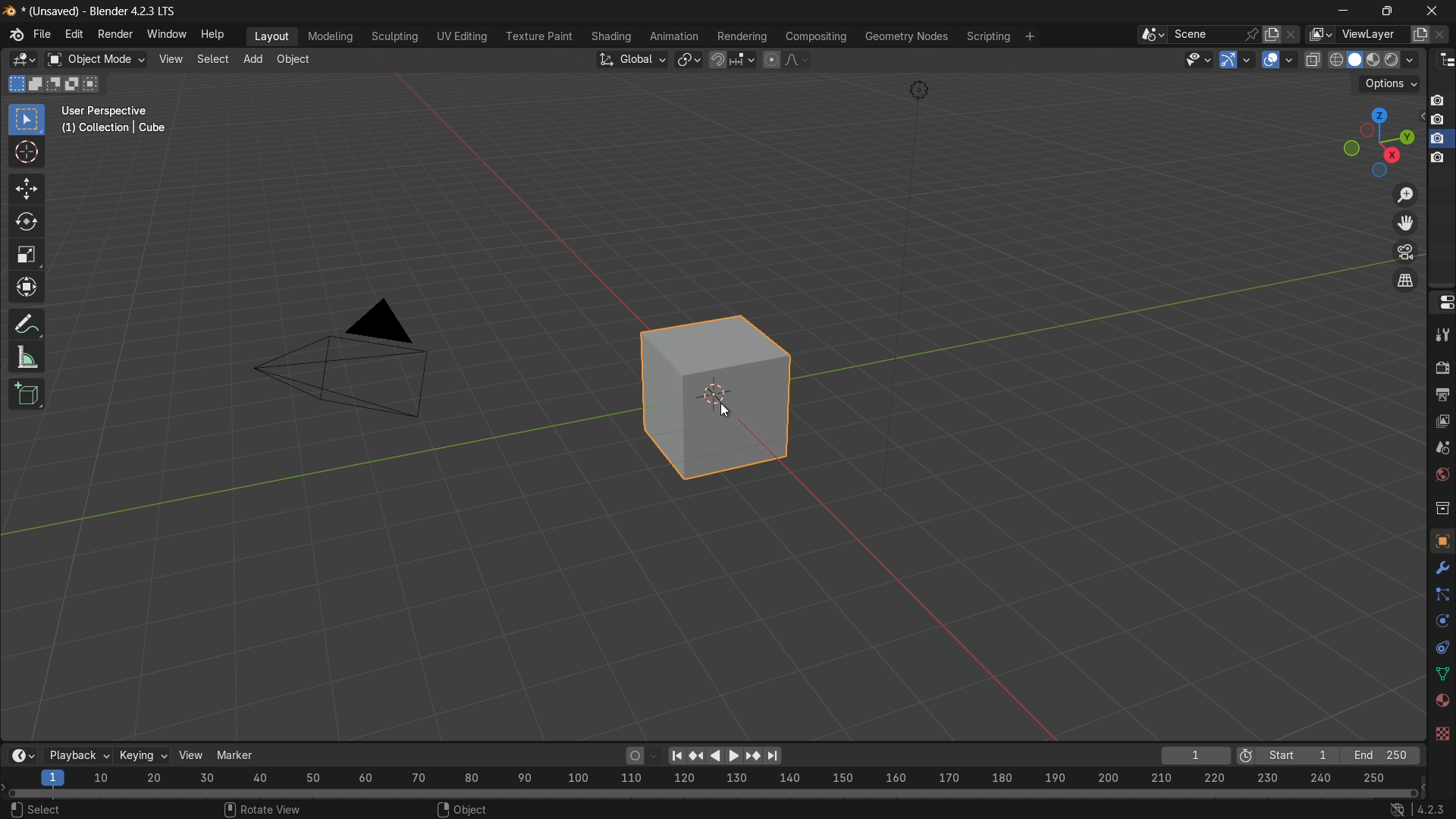 This screenshot has width=1456, height=819. What do you see at coordinates (1442, 701) in the screenshot?
I see `material` at bounding box center [1442, 701].